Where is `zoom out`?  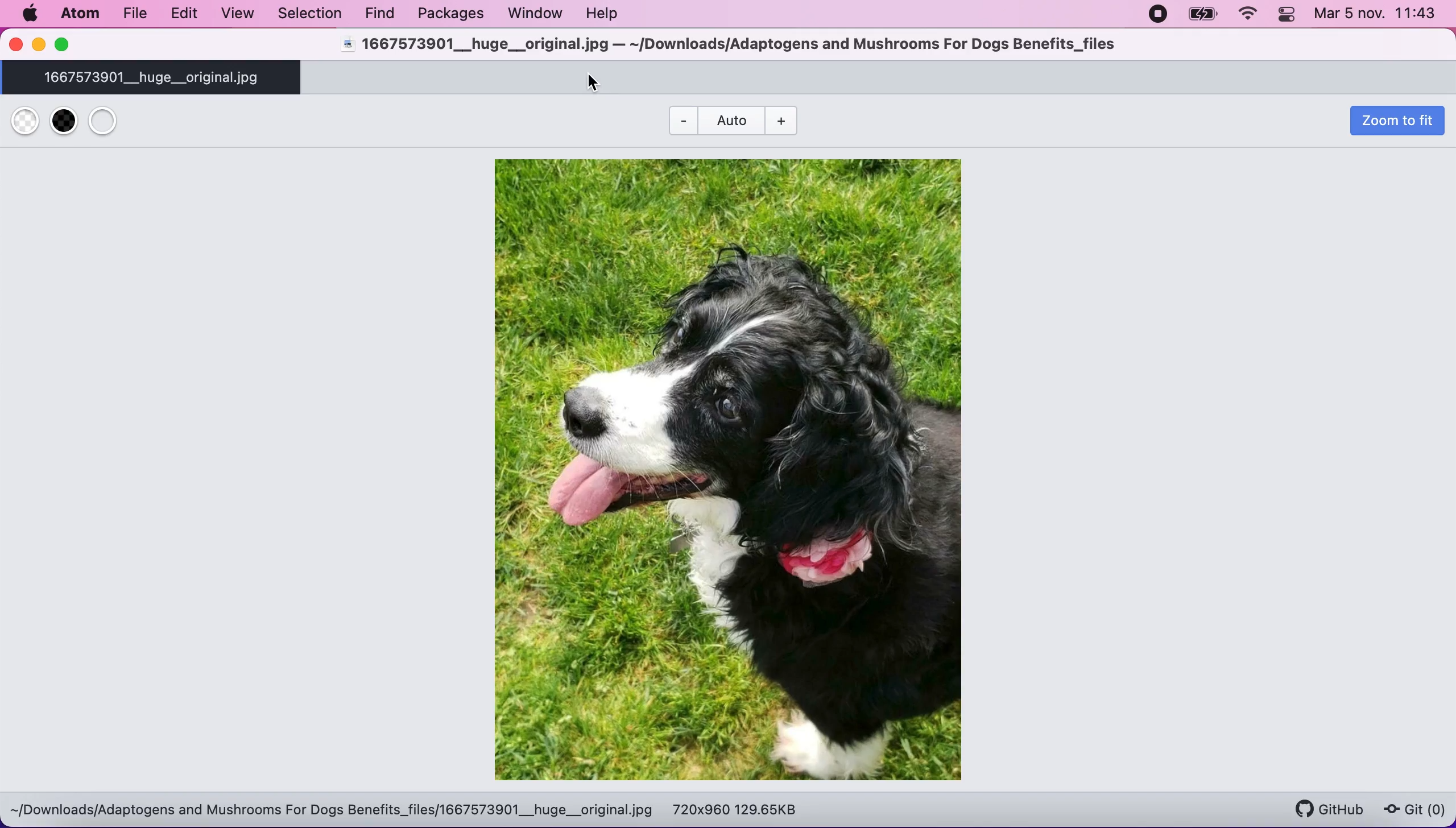 zoom out is located at coordinates (792, 119).